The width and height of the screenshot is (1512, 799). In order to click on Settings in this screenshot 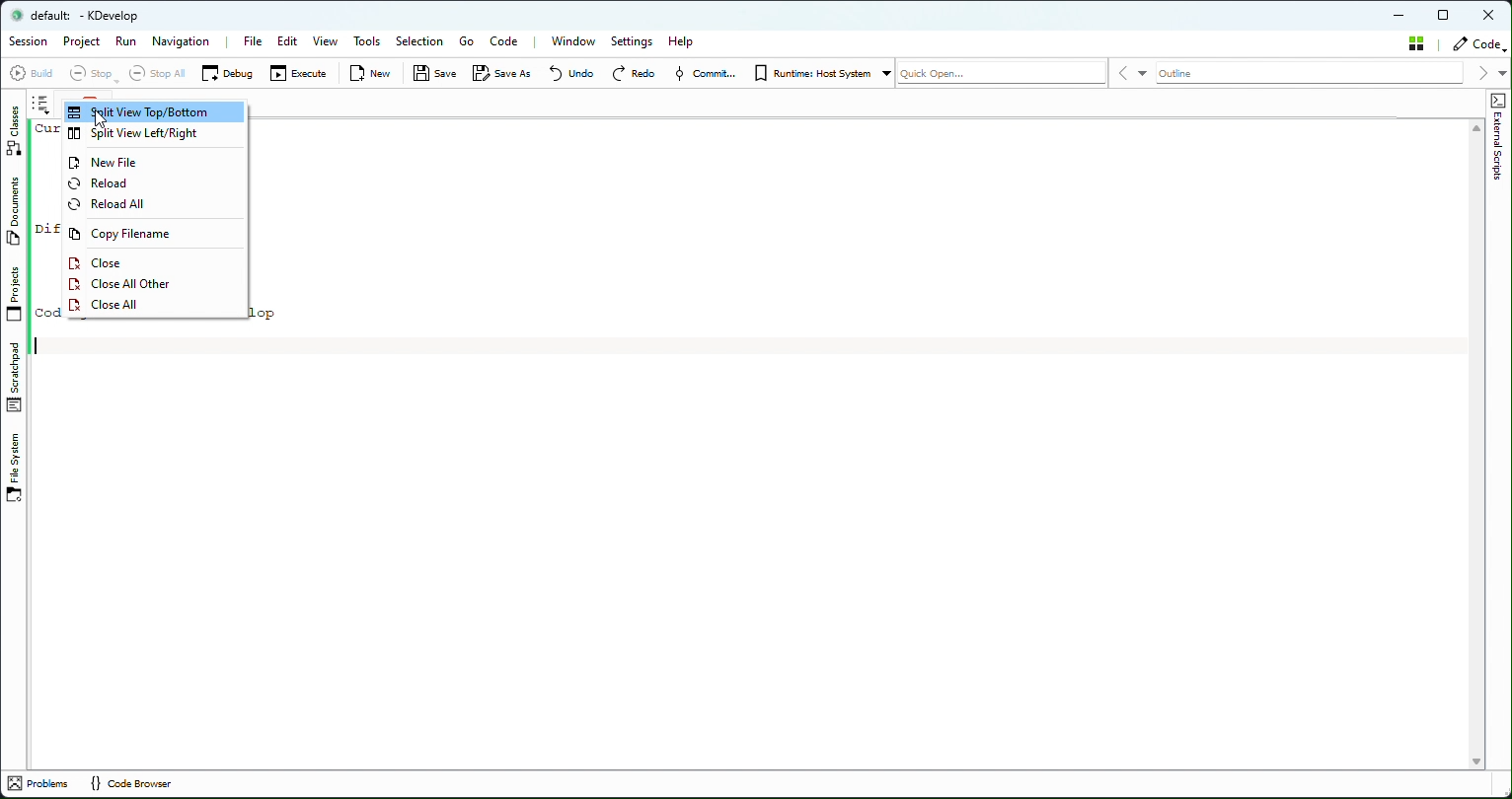, I will do `click(631, 41)`.